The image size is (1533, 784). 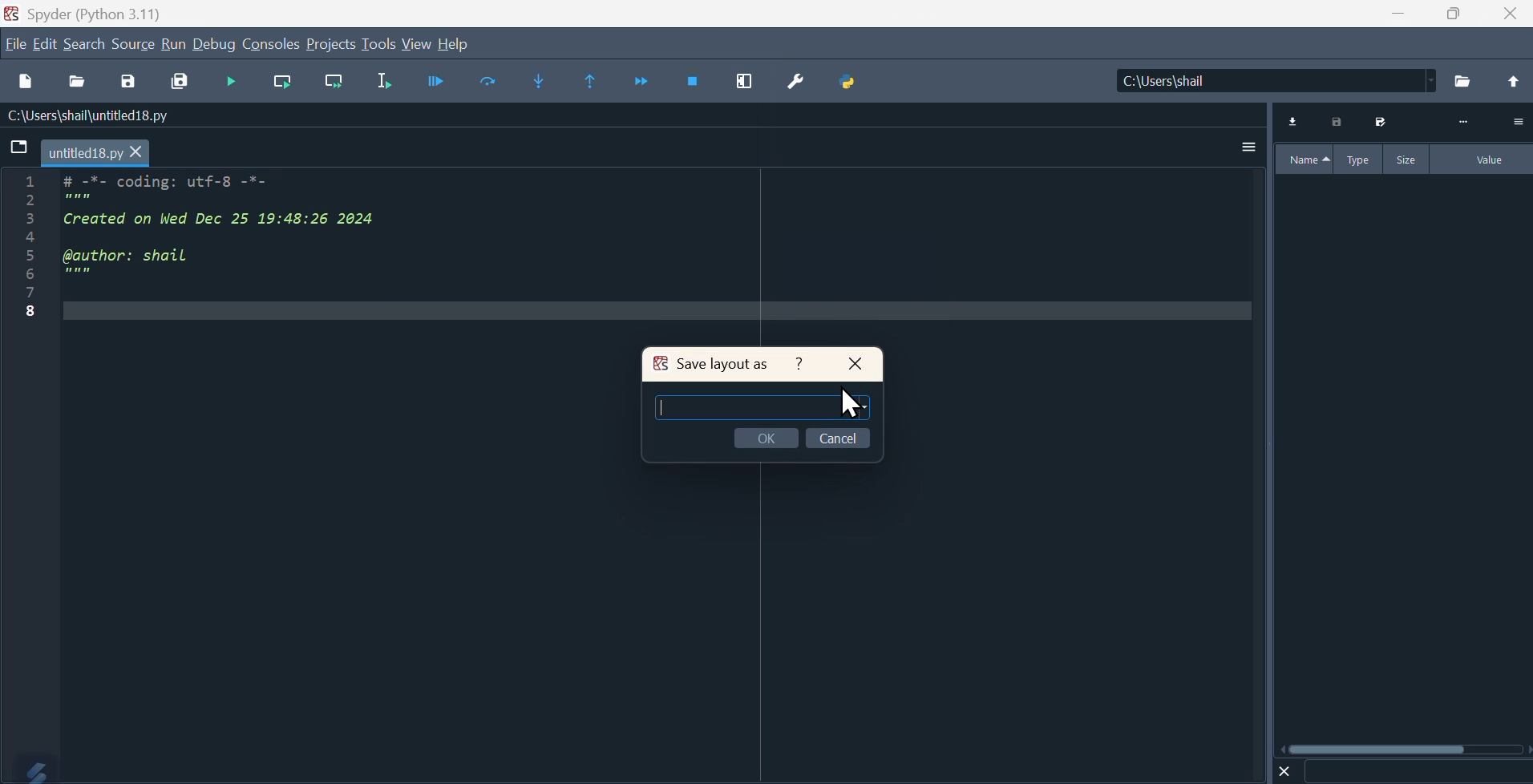 I want to click on Tools, so click(x=378, y=42).